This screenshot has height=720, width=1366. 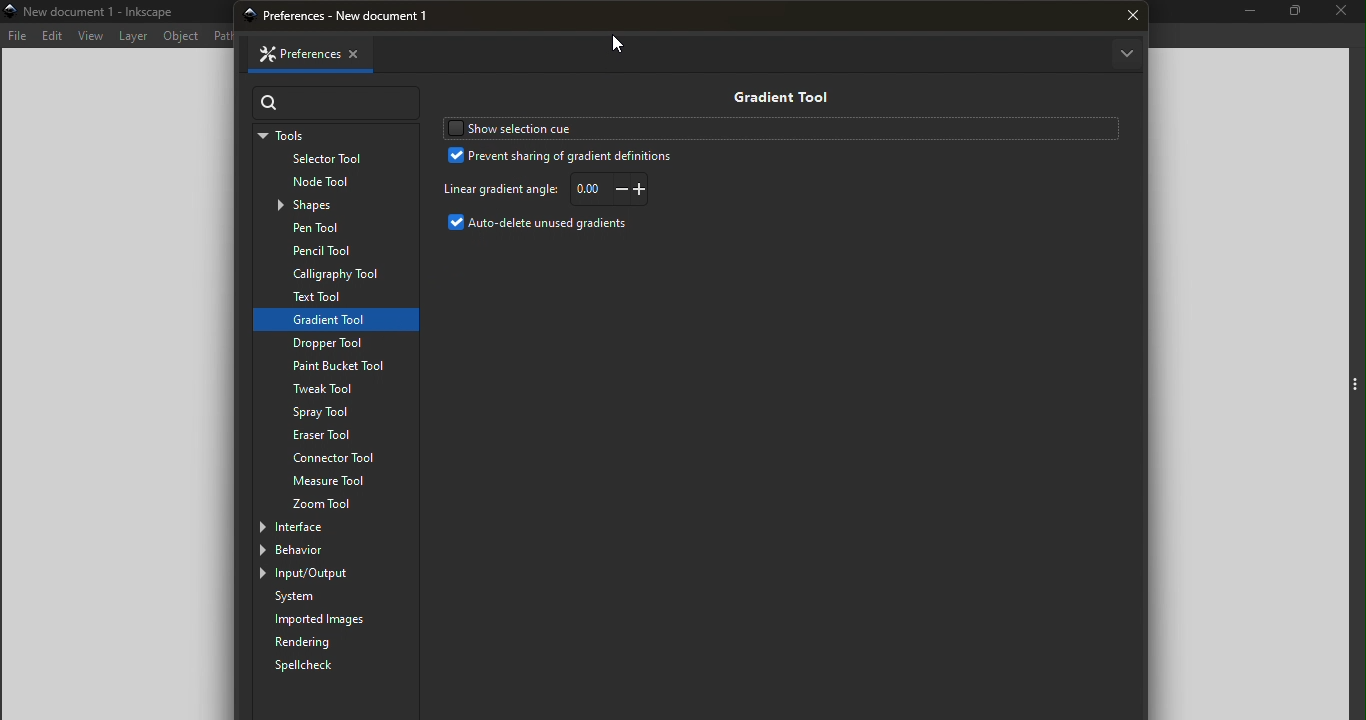 I want to click on Node, so click(x=339, y=183).